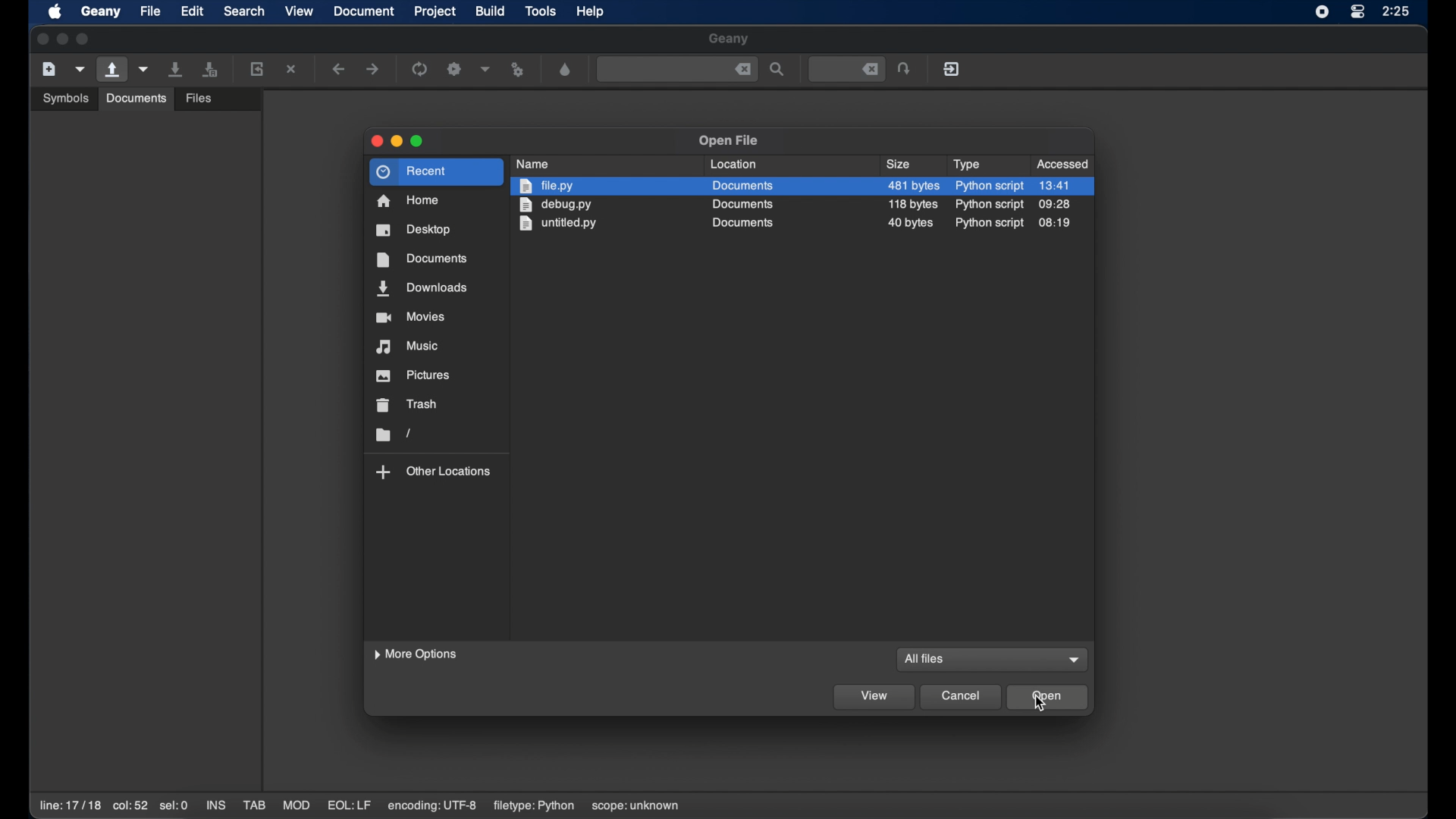 Image resolution: width=1456 pixels, height=819 pixels. Describe the element at coordinates (61, 100) in the screenshot. I see `` at that location.